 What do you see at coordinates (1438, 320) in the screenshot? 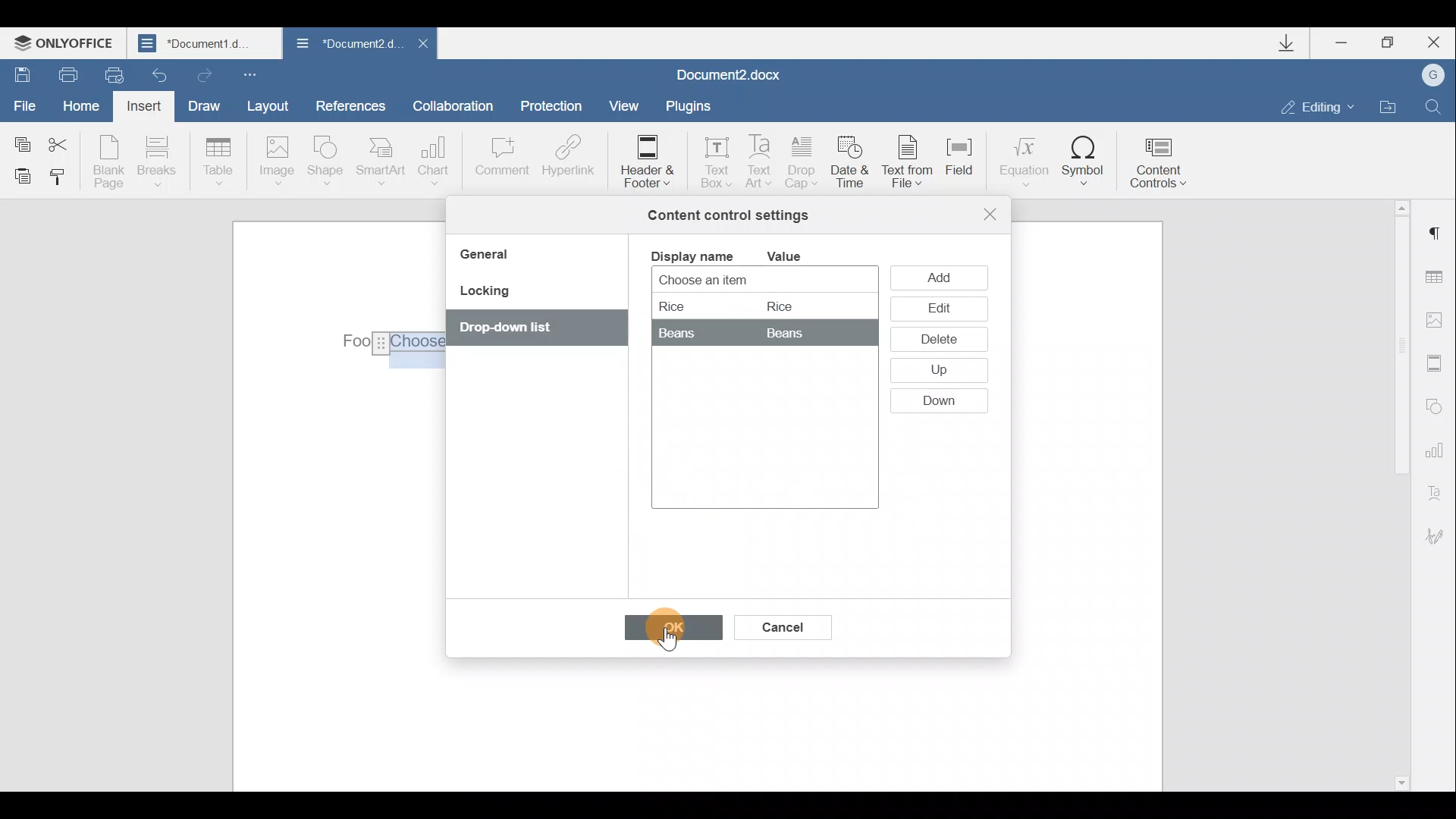
I see `Image settings` at bounding box center [1438, 320].